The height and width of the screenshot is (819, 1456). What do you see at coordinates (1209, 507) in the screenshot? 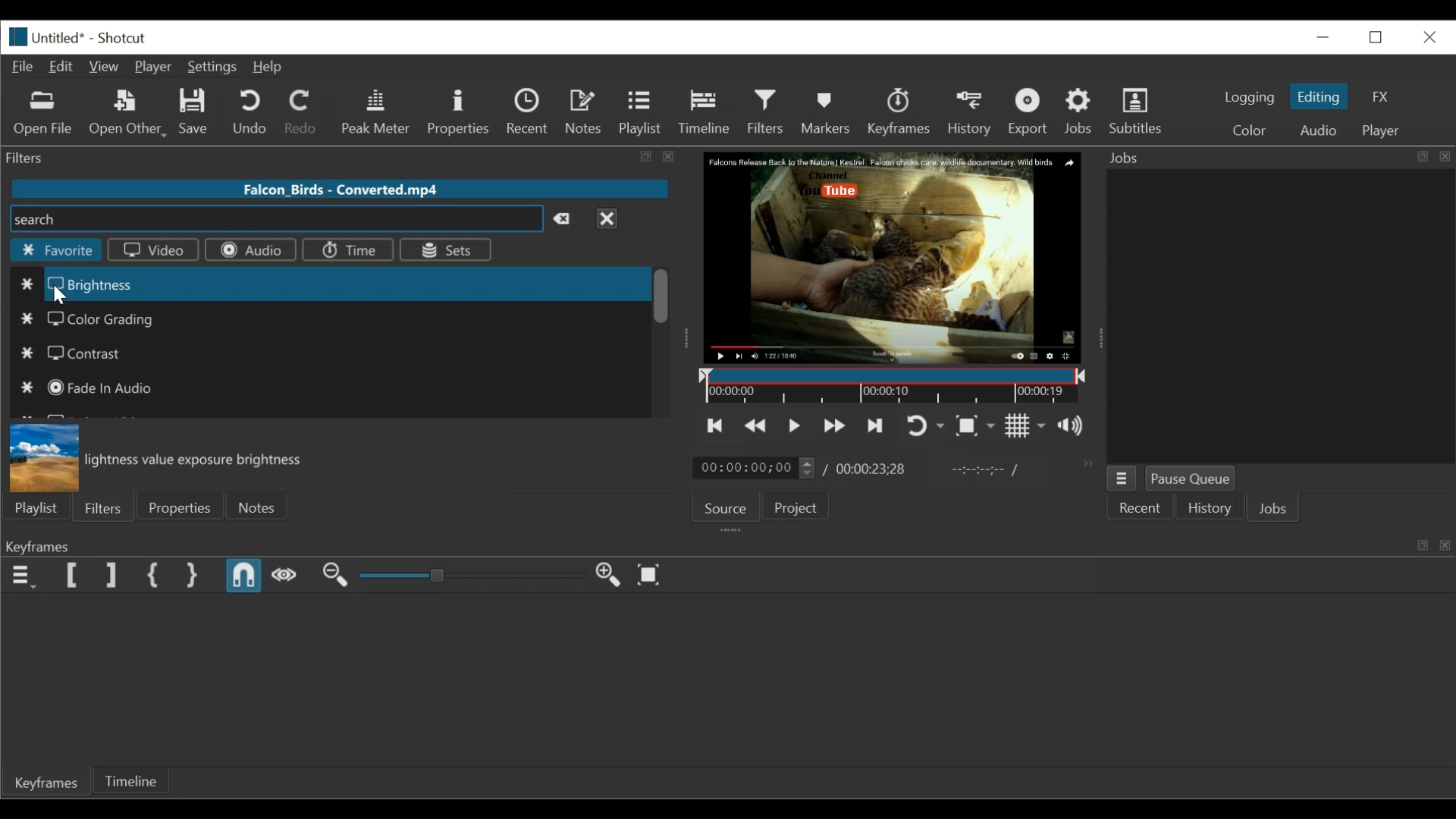
I see `History` at bounding box center [1209, 507].